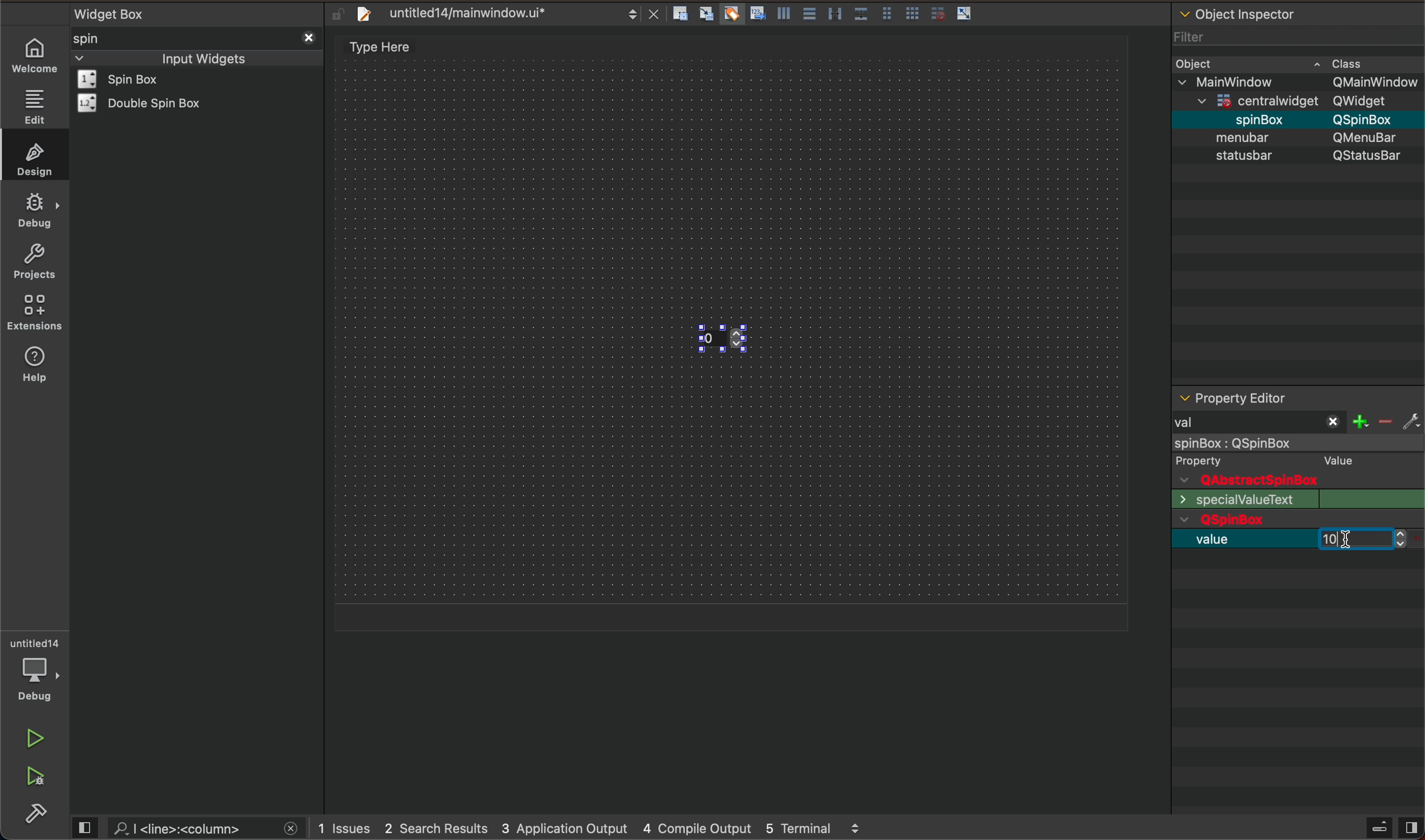 This screenshot has height=840, width=1425. What do you see at coordinates (134, 79) in the screenshot?
I see `widget` at bounding box center [134, 79].